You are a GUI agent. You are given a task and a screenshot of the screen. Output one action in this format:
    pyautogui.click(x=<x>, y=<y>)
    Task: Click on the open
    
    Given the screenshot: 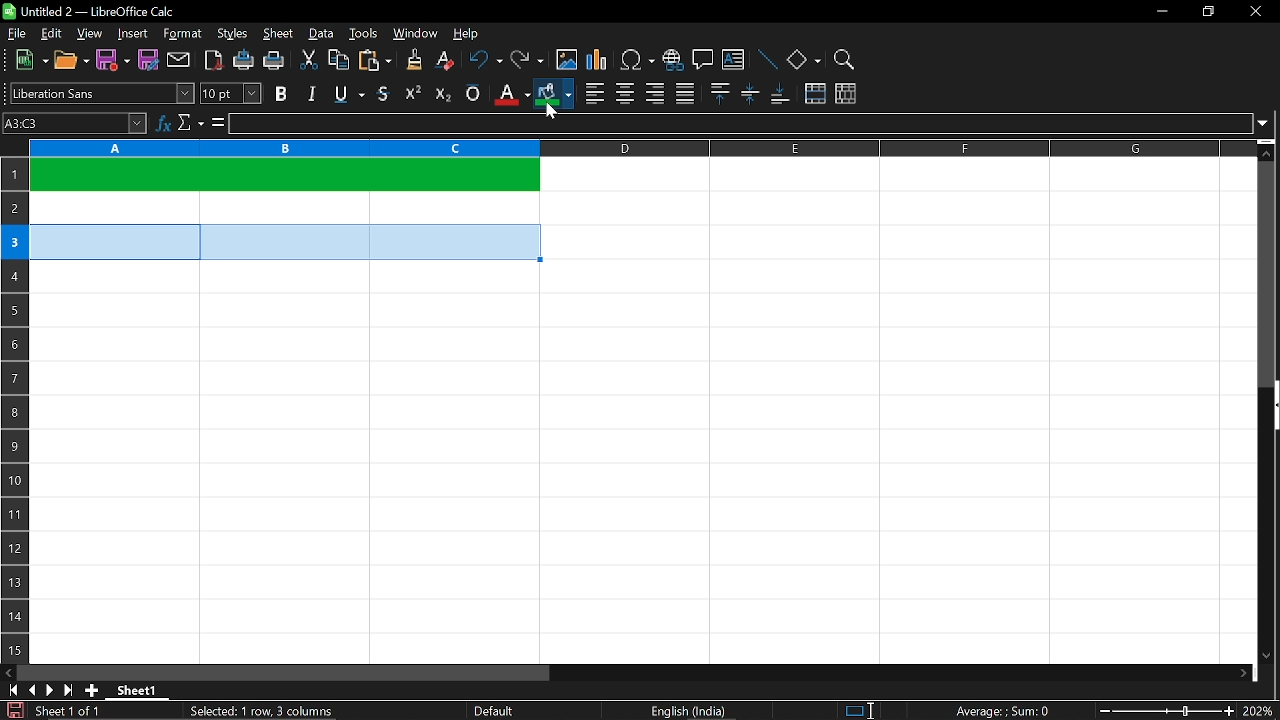 What is the action you would take?
    pyautogui.click(x=71, y=62)
    